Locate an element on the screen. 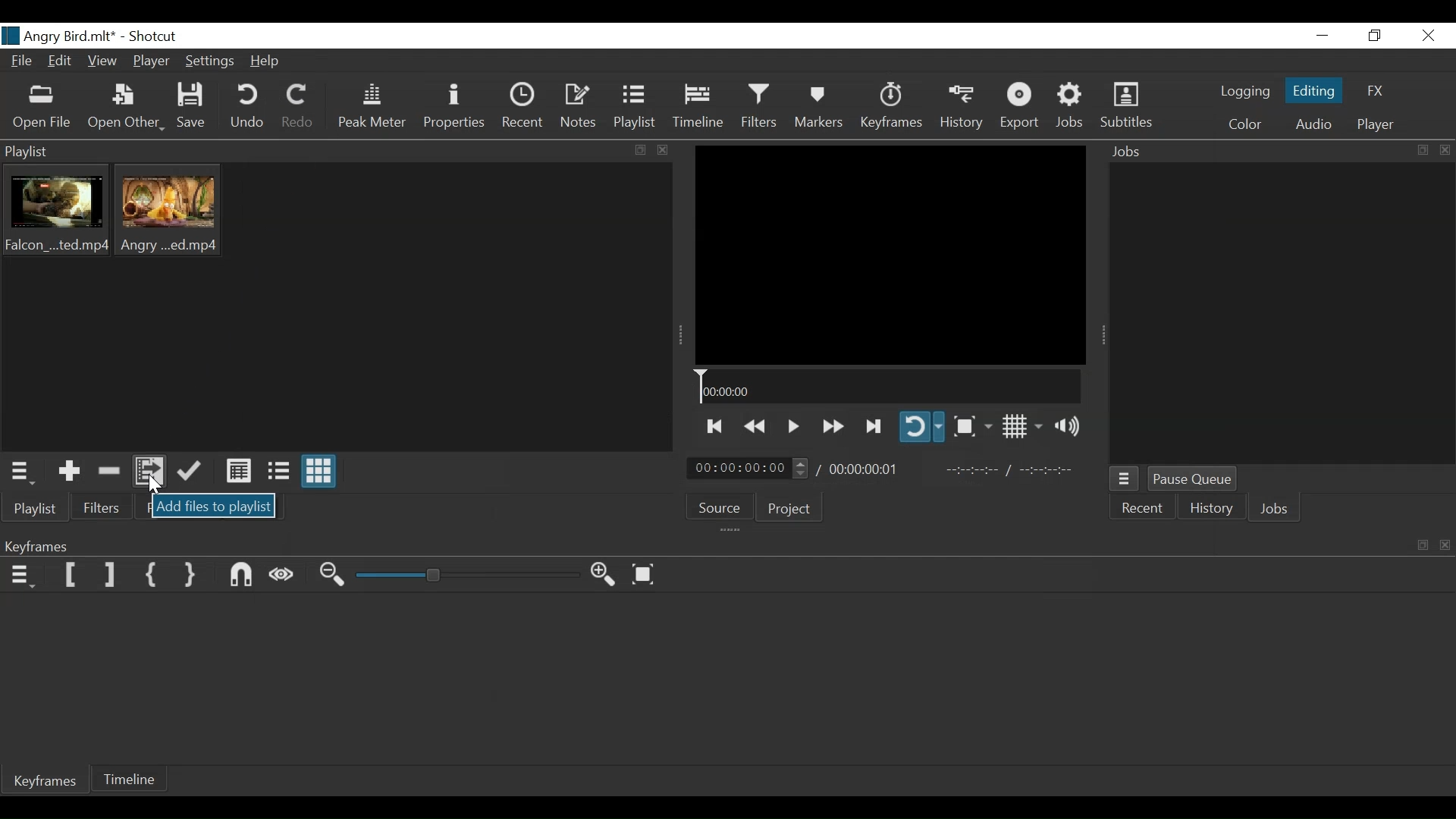  Close is located at coordinates (1429, 36).